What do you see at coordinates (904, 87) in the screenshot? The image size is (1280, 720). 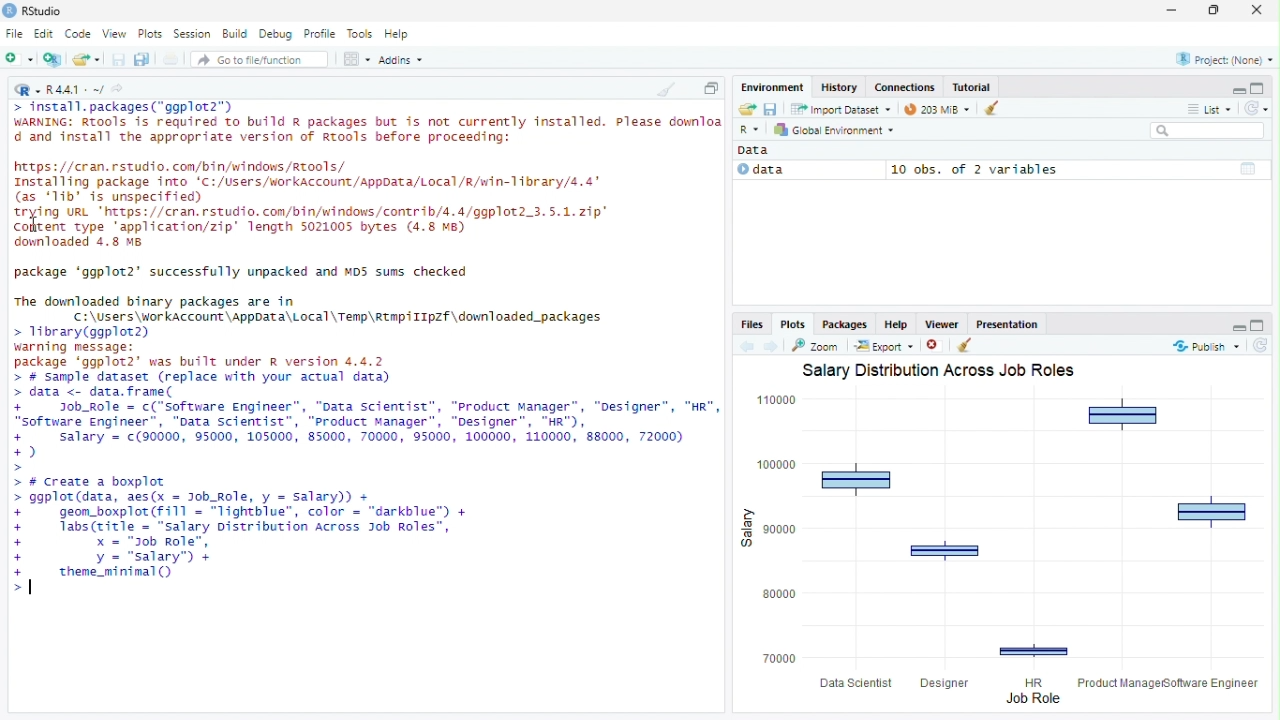 I see `Connections` at bounding box center [904, 87].